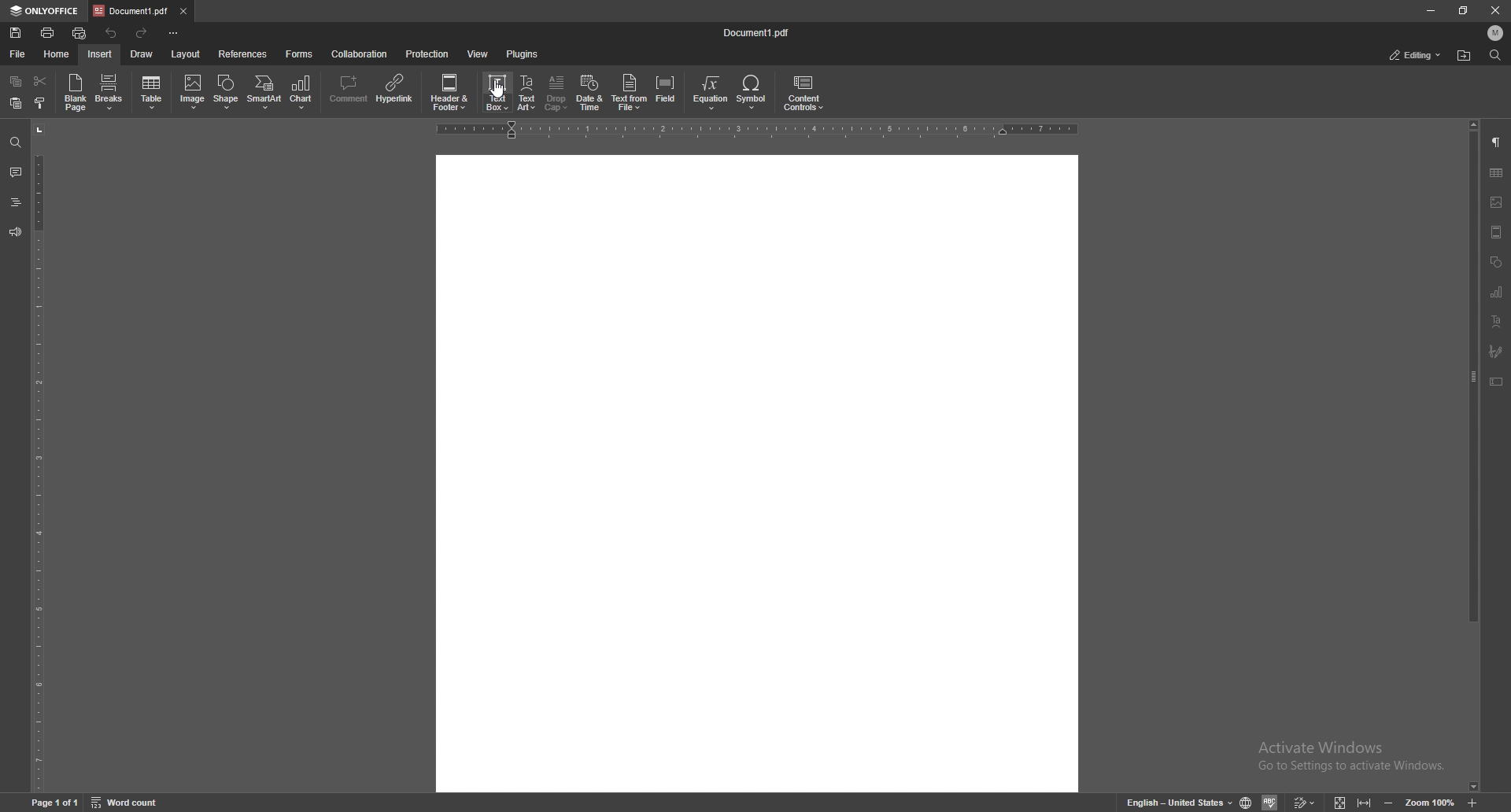  I want to click on undo, so click(113, 33).